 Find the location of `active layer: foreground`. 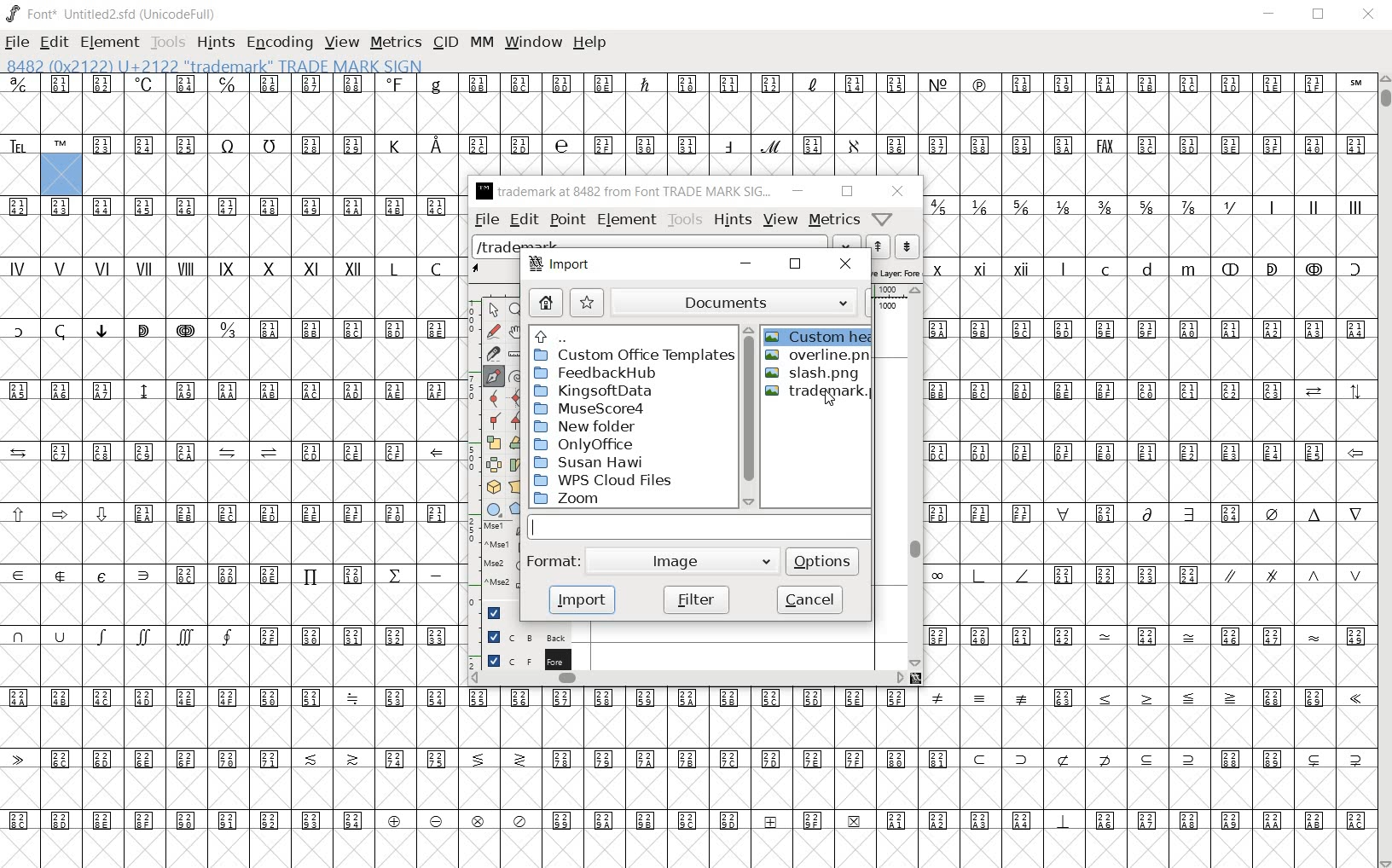

active layer: foreground is located at coordinates (896, 273).